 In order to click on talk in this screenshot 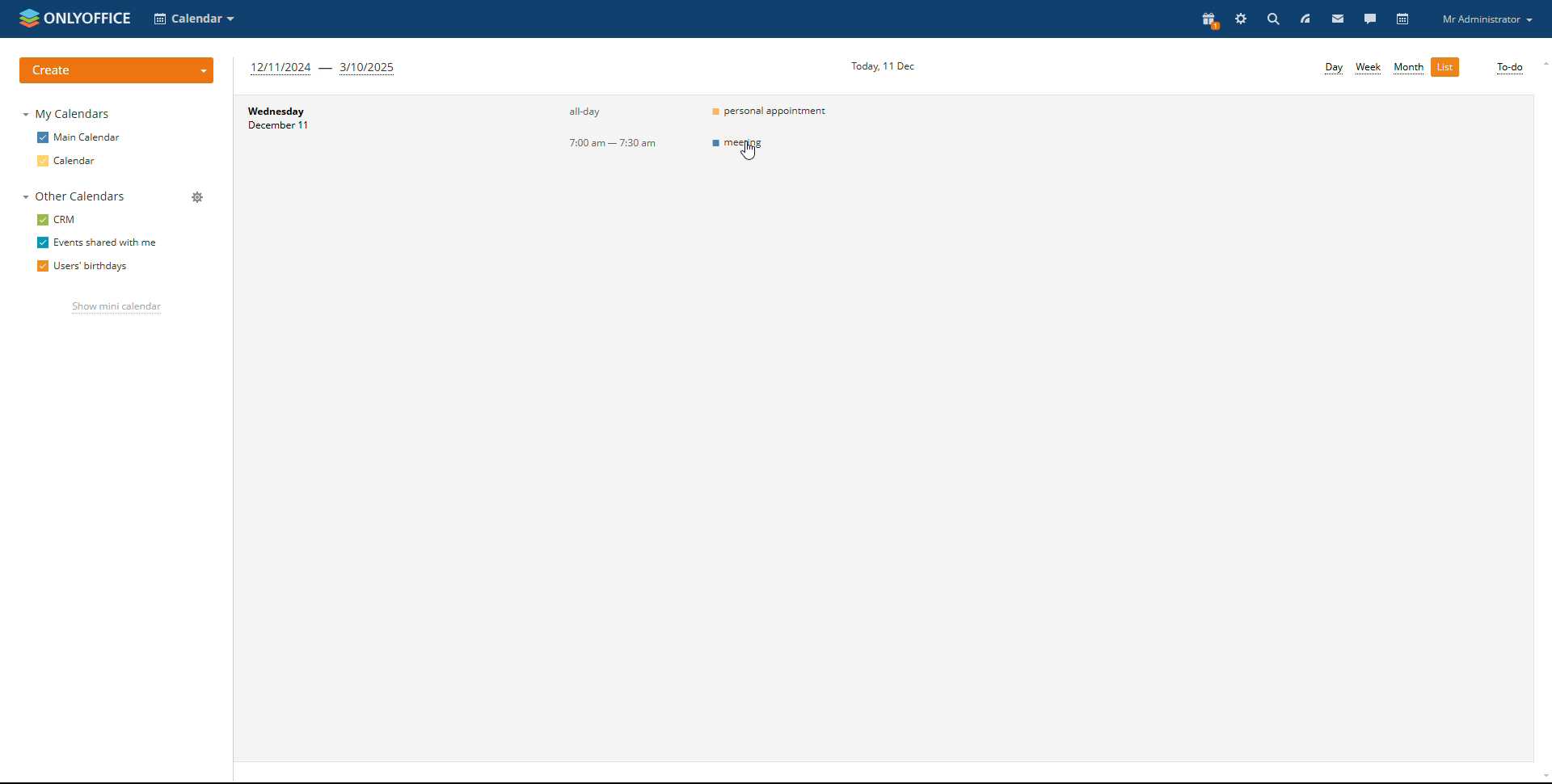, I will do `click(1370, 18)`.